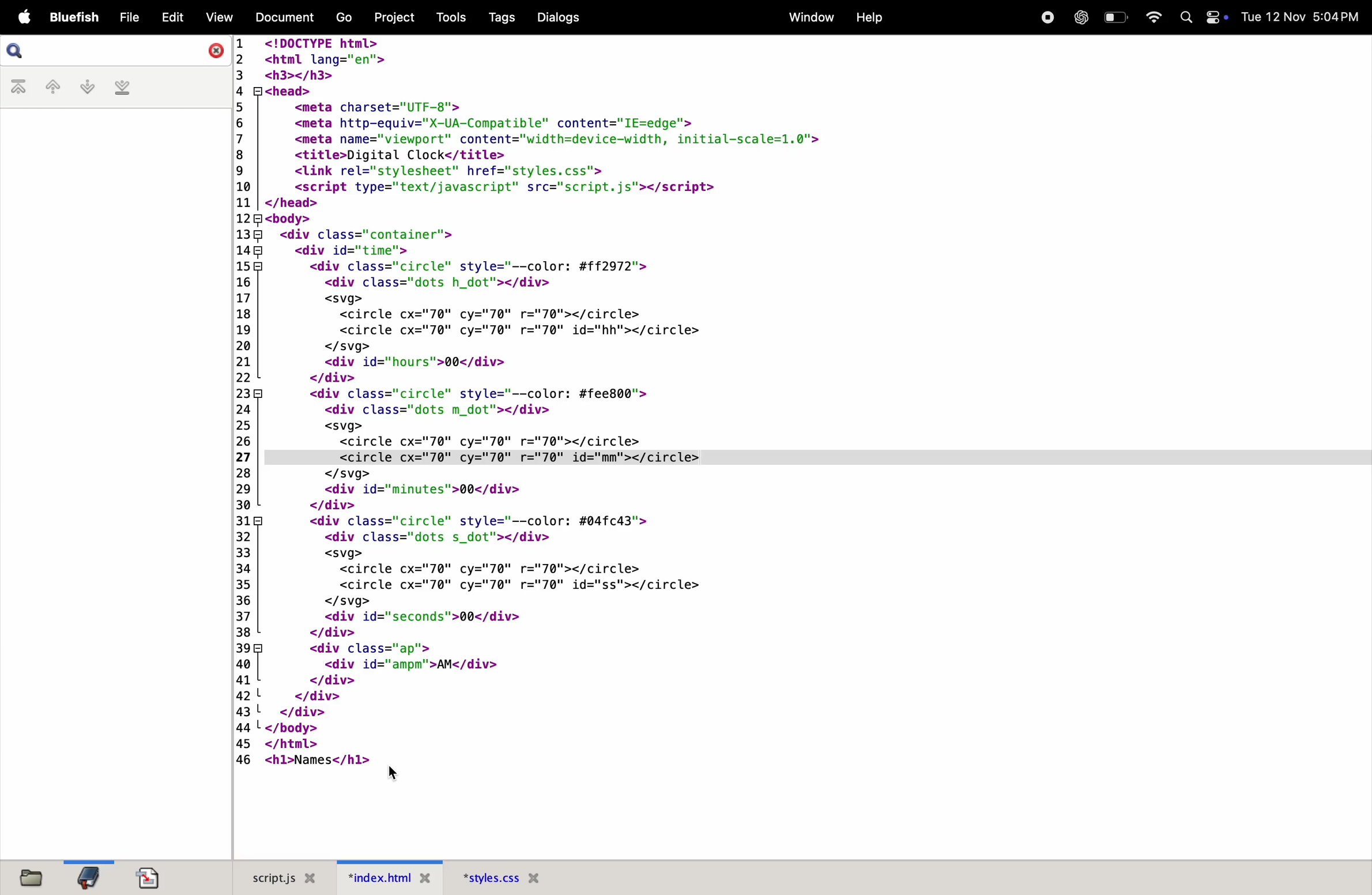 The image size is (1372, 895). Describe the element at coordinates (281, 17) in the screenshot. I see `document` at that location.